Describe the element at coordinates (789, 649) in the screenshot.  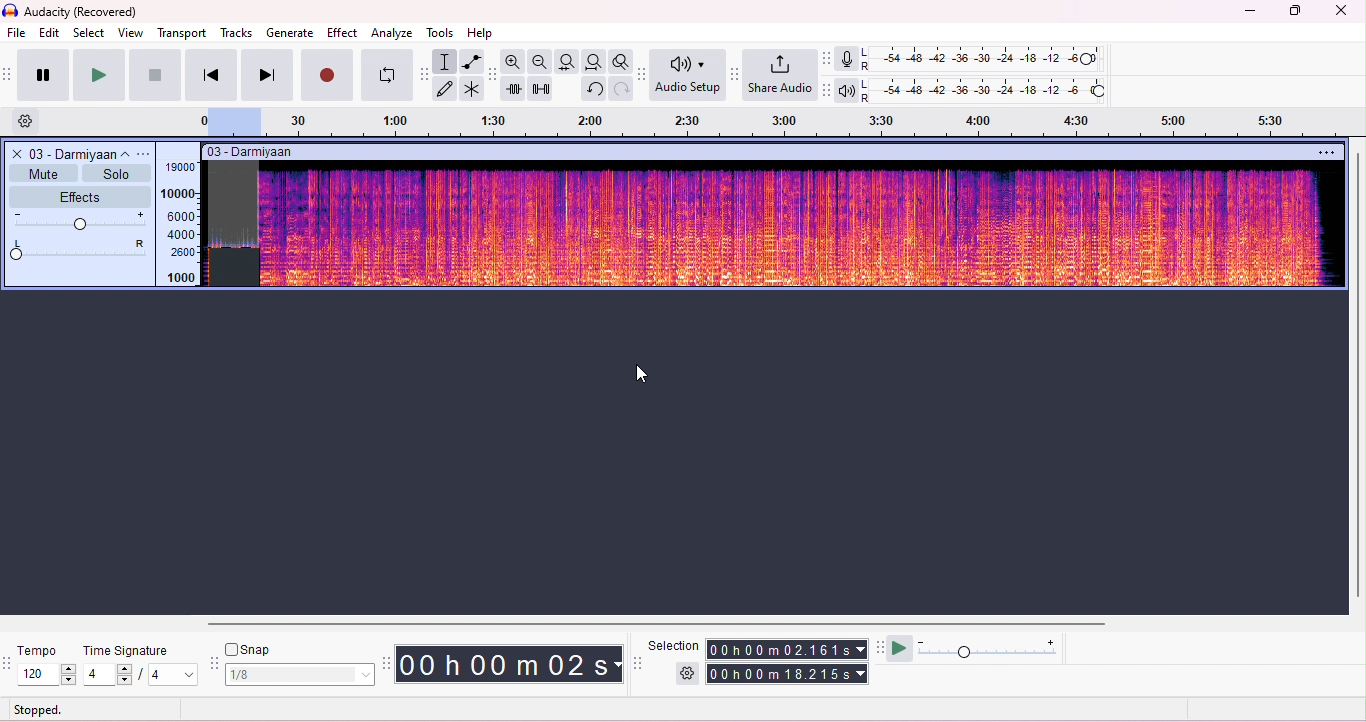
I see `selection time` at that location.